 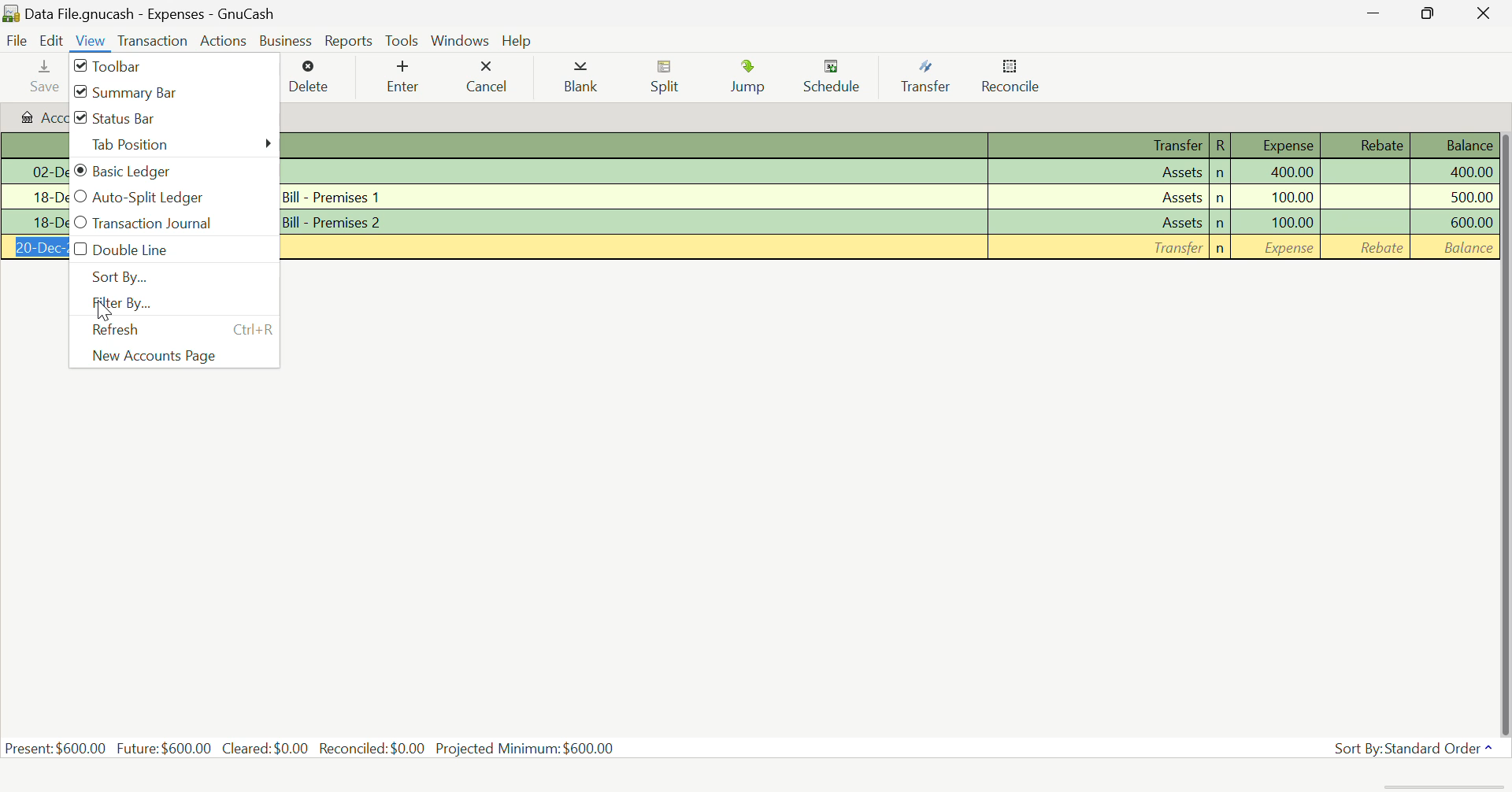 I want to click on Amount, so click(x=1291, y=222).